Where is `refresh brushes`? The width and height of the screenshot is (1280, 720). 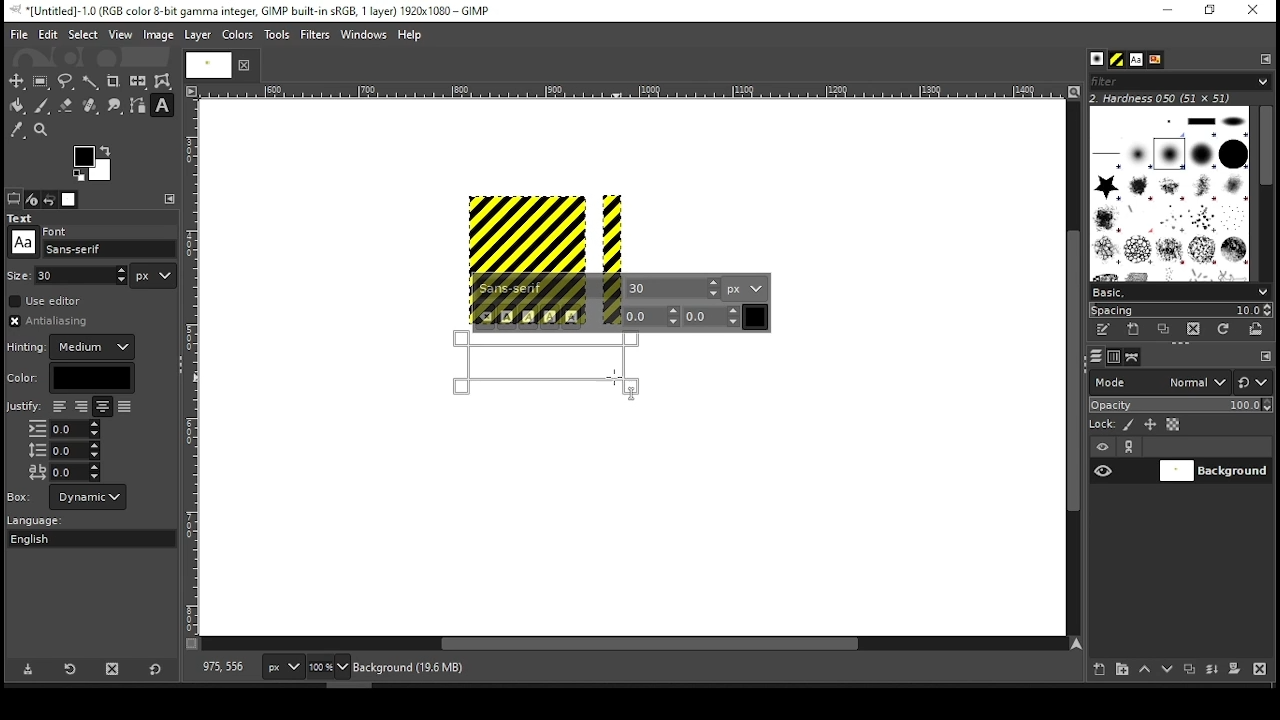
refresh brushes is located at coordinates (1222, 331).